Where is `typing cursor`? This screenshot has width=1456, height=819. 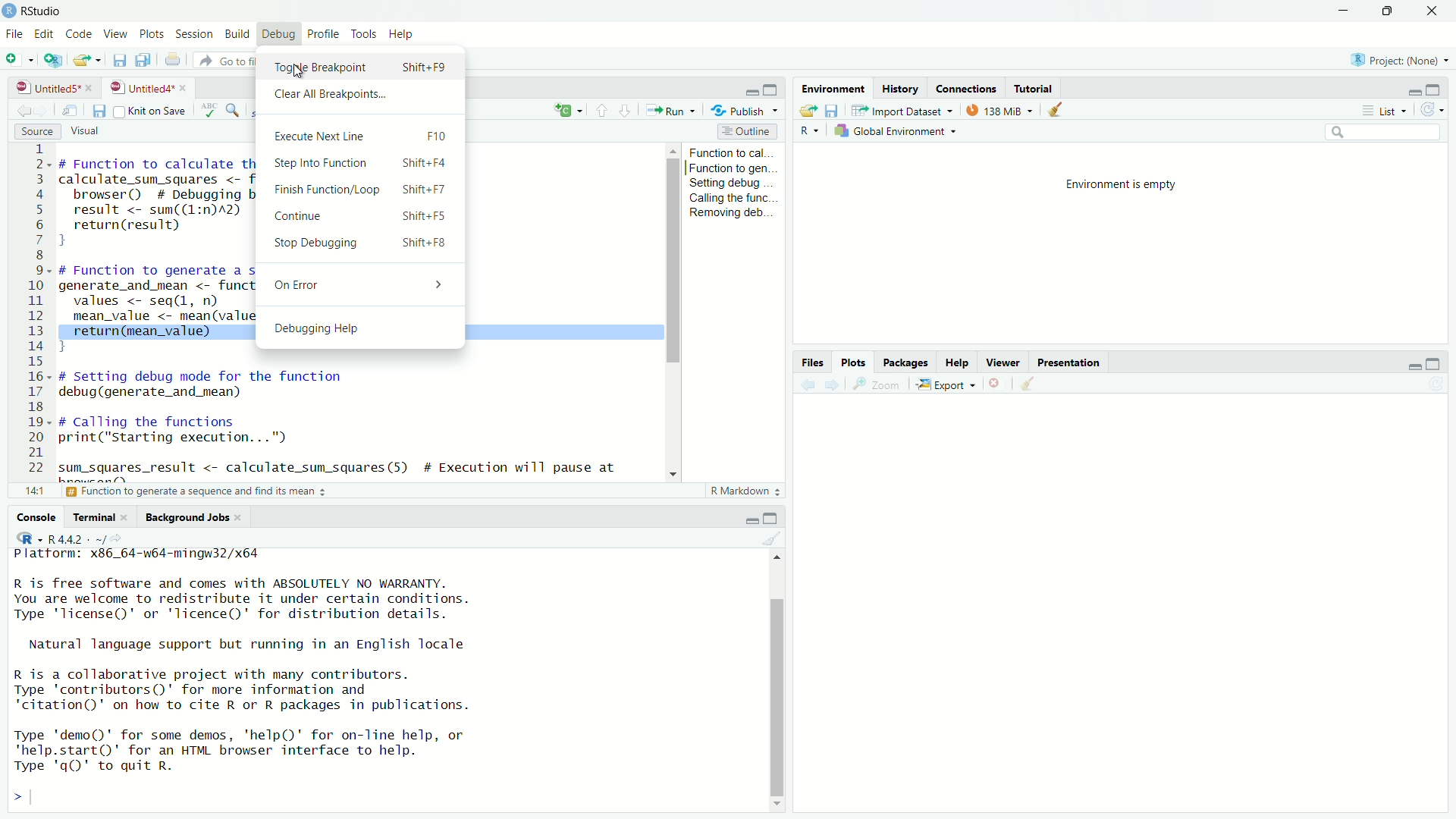 typing cursor is located at coordinates (38, 798).